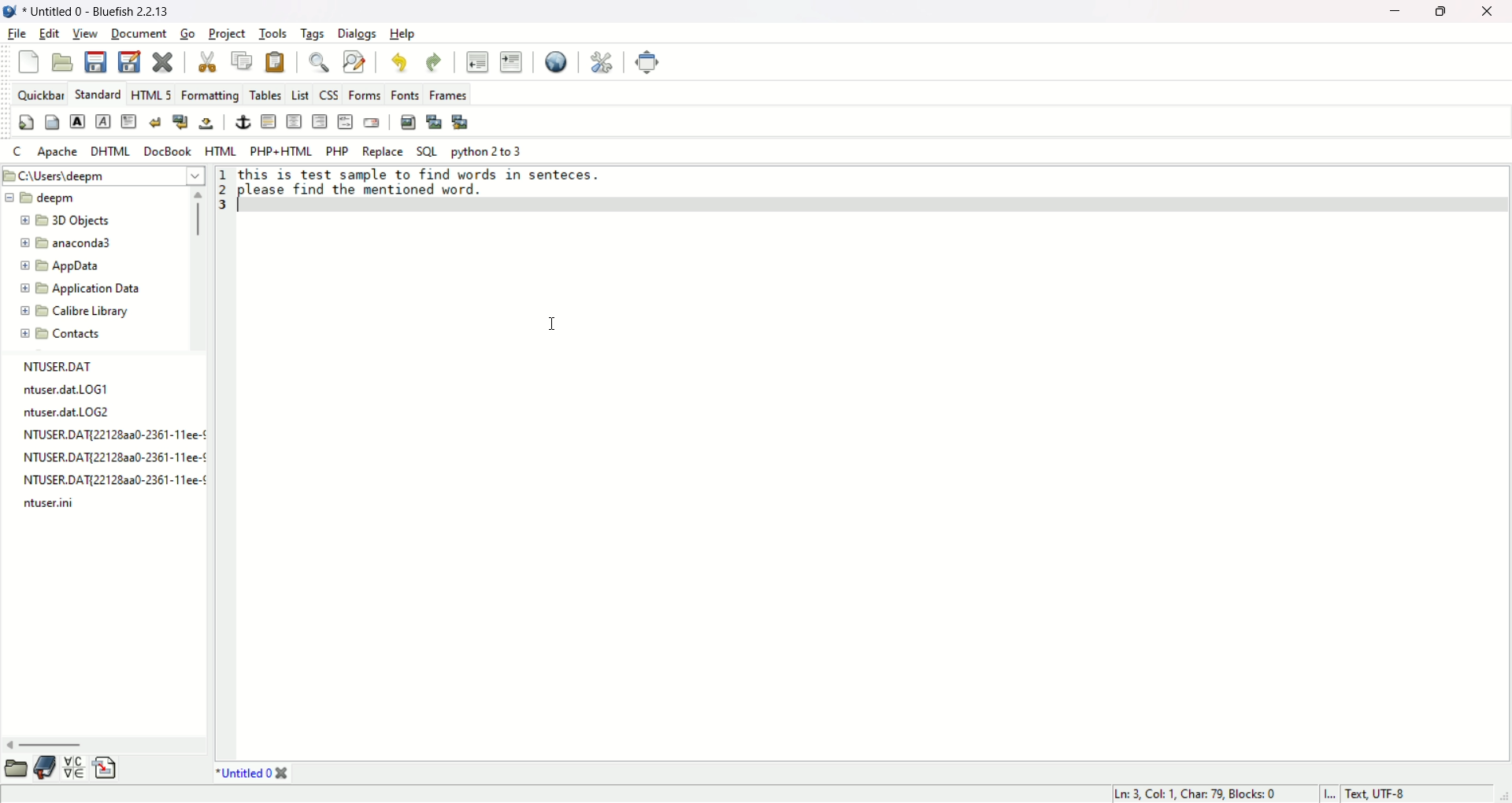 This screenshot has width=1512, height=803. I want to click on insert thumbnail, so click(432, 122).